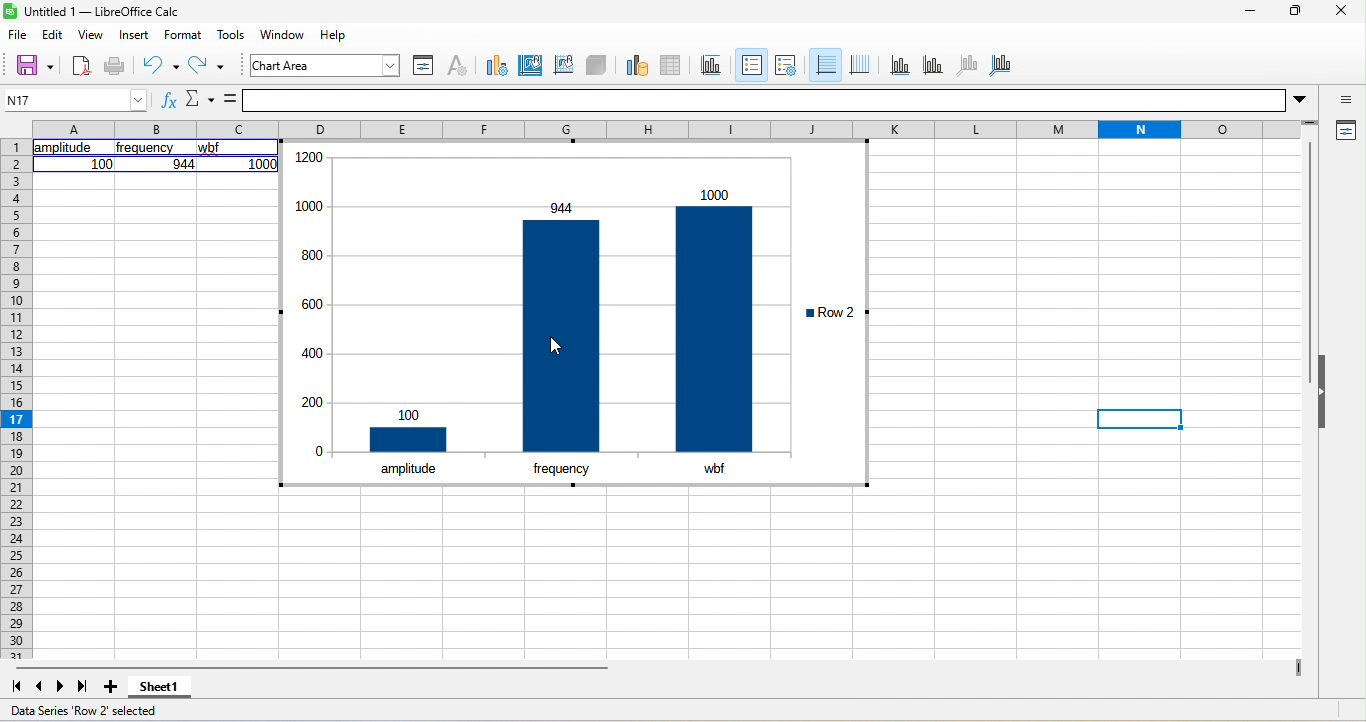  What do you see at coordinates (93, 710) in the screenshot?
I see `data series row 2 selected` at bounding box center [93, 710].